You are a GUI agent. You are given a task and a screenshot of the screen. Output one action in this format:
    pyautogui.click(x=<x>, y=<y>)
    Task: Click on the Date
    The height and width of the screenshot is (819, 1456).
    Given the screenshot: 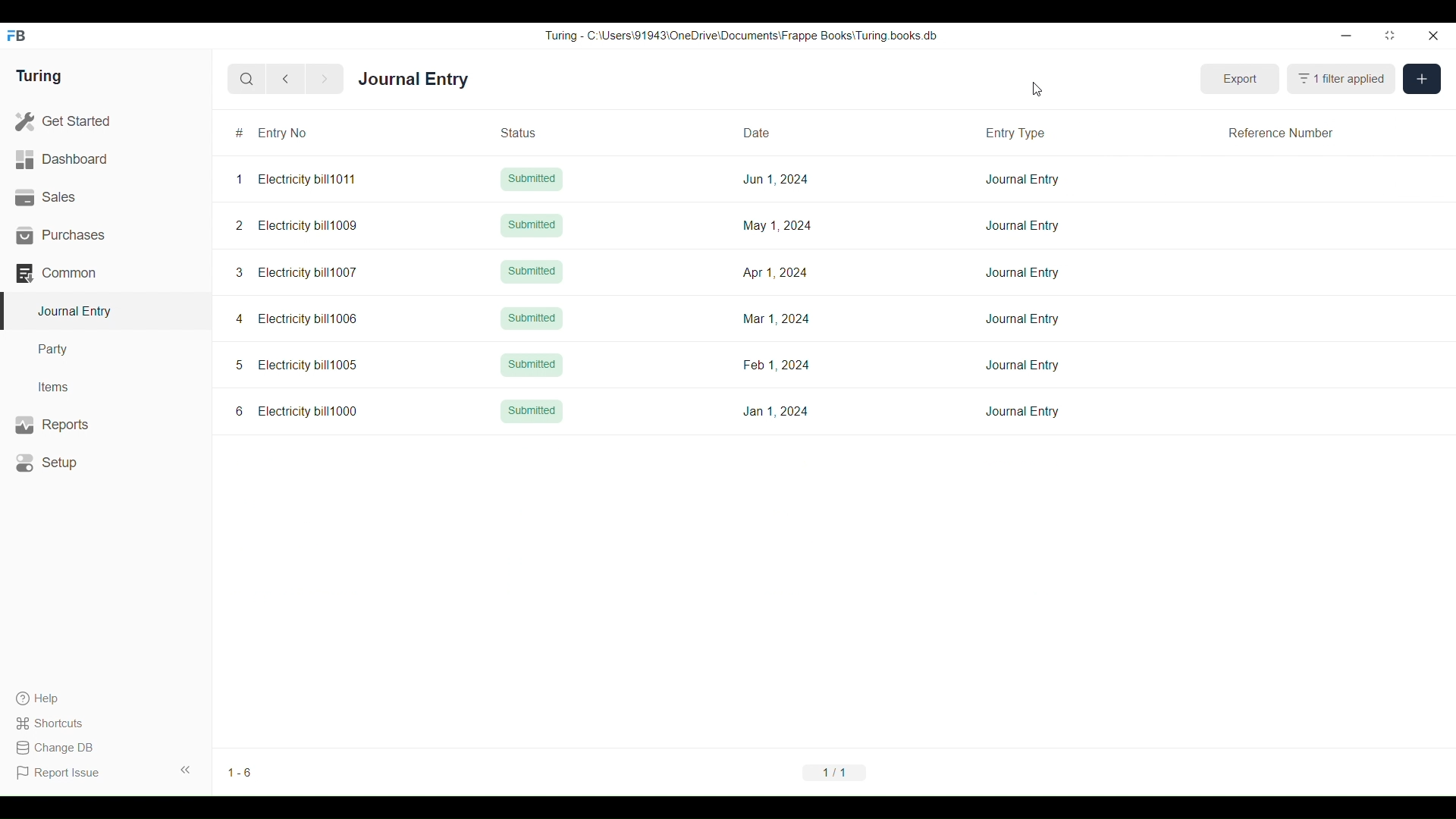 What is the action you would take?
    pyautogui.click(x=775, y=131)
    